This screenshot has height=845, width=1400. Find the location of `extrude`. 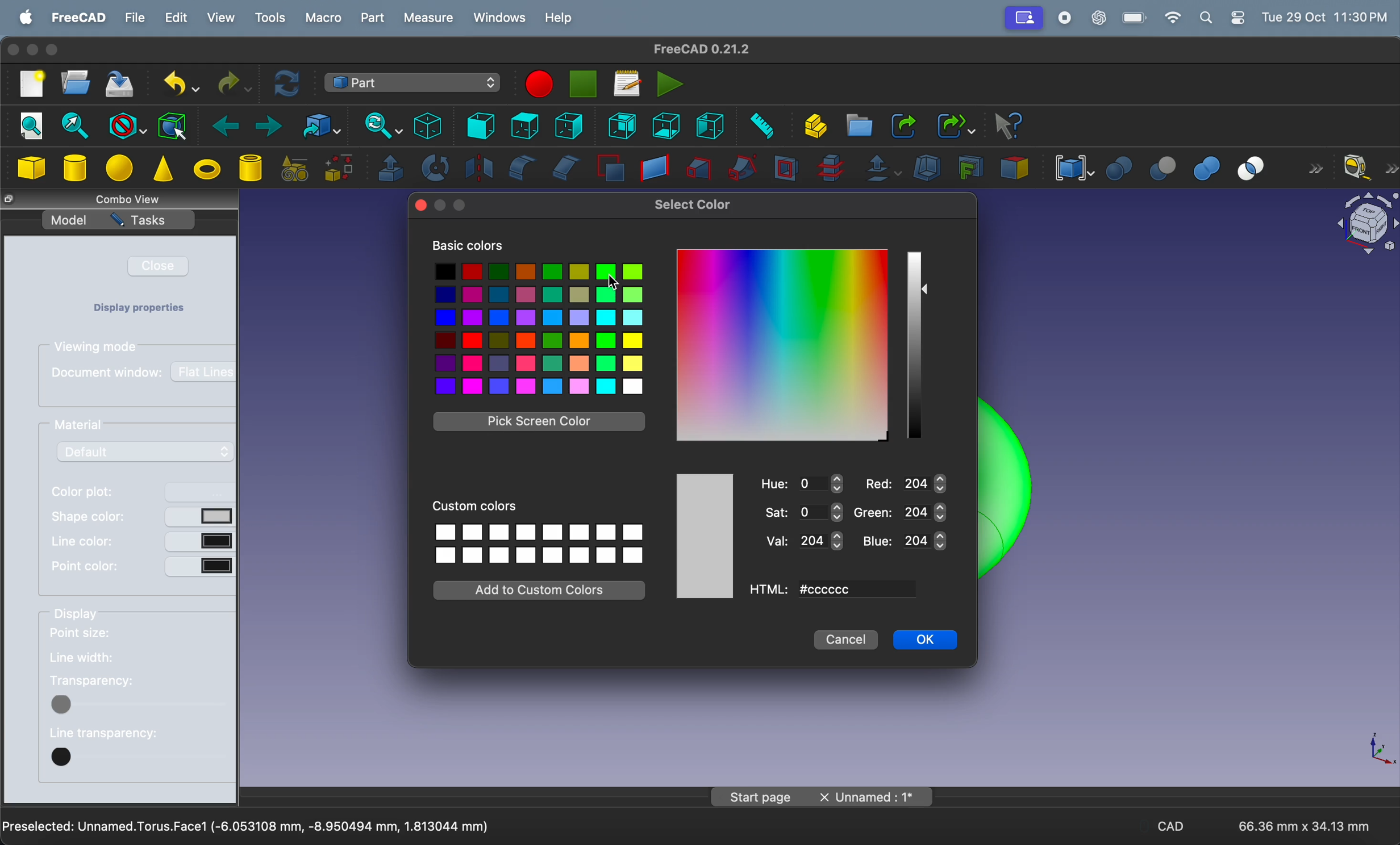

extrude is located at coordinates (390, 169).